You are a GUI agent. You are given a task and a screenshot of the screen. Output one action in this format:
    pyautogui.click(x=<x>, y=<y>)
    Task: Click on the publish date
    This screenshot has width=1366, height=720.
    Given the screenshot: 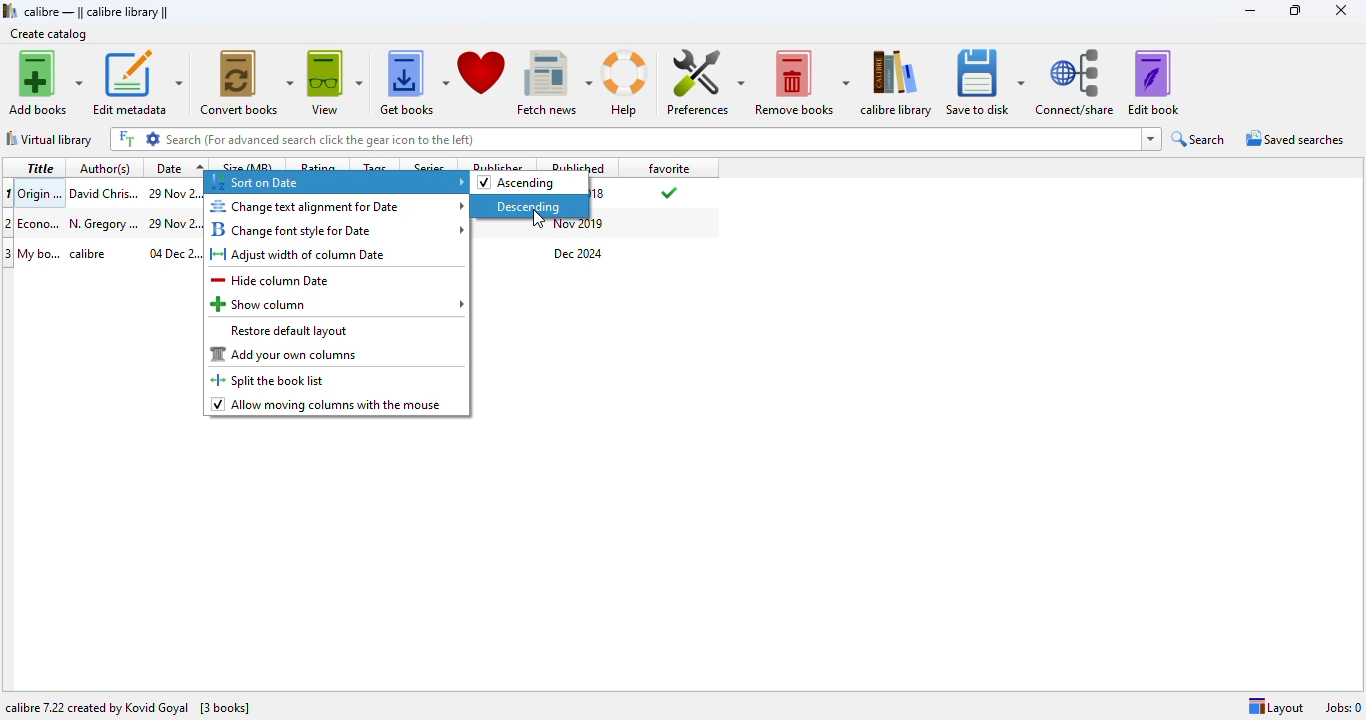 What is the action you would take?
    pyautogui.click(x=601, y=194)
    